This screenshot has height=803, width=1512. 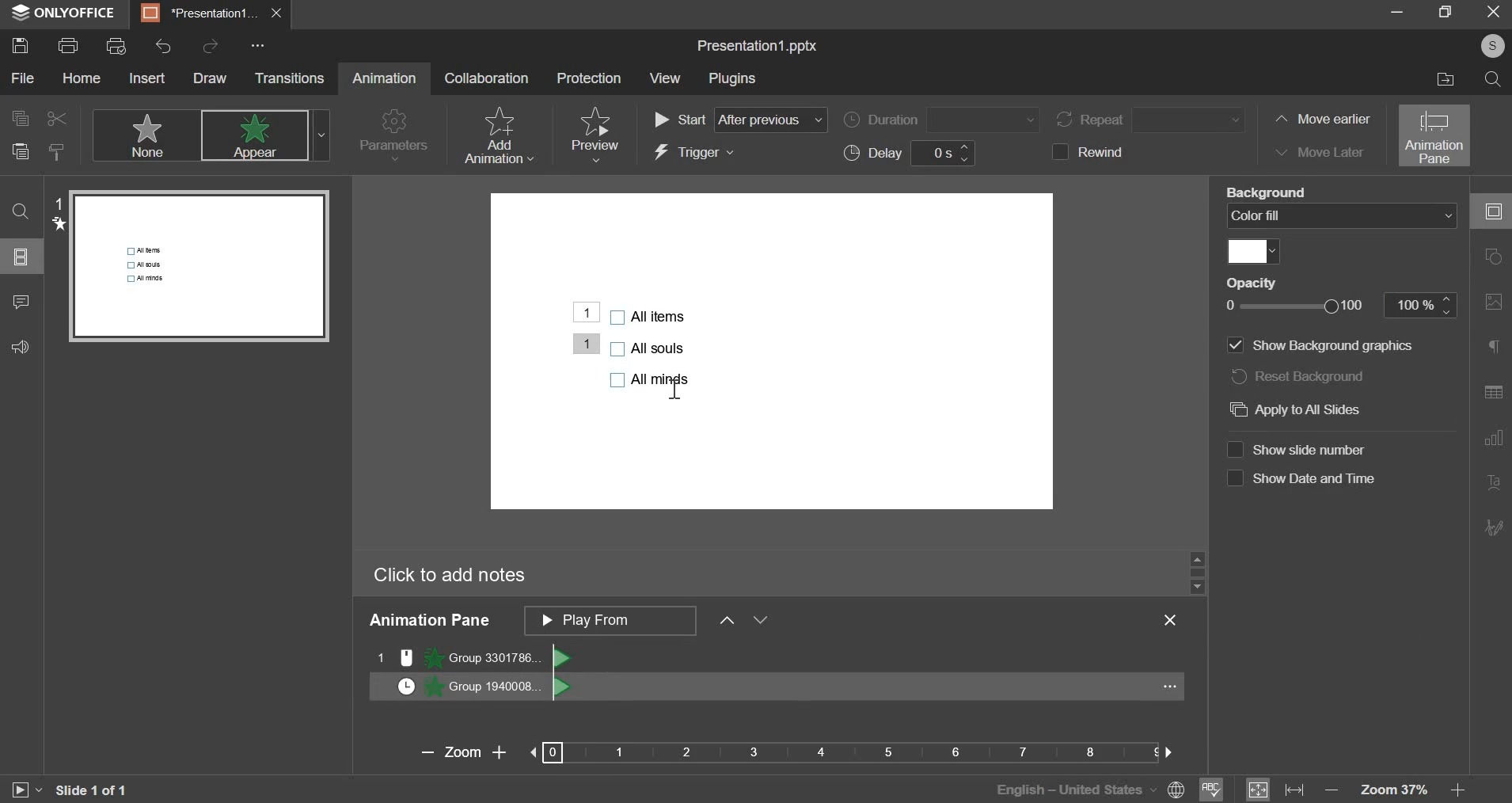 I want to click on spelling, so click(x=1212, y=787).